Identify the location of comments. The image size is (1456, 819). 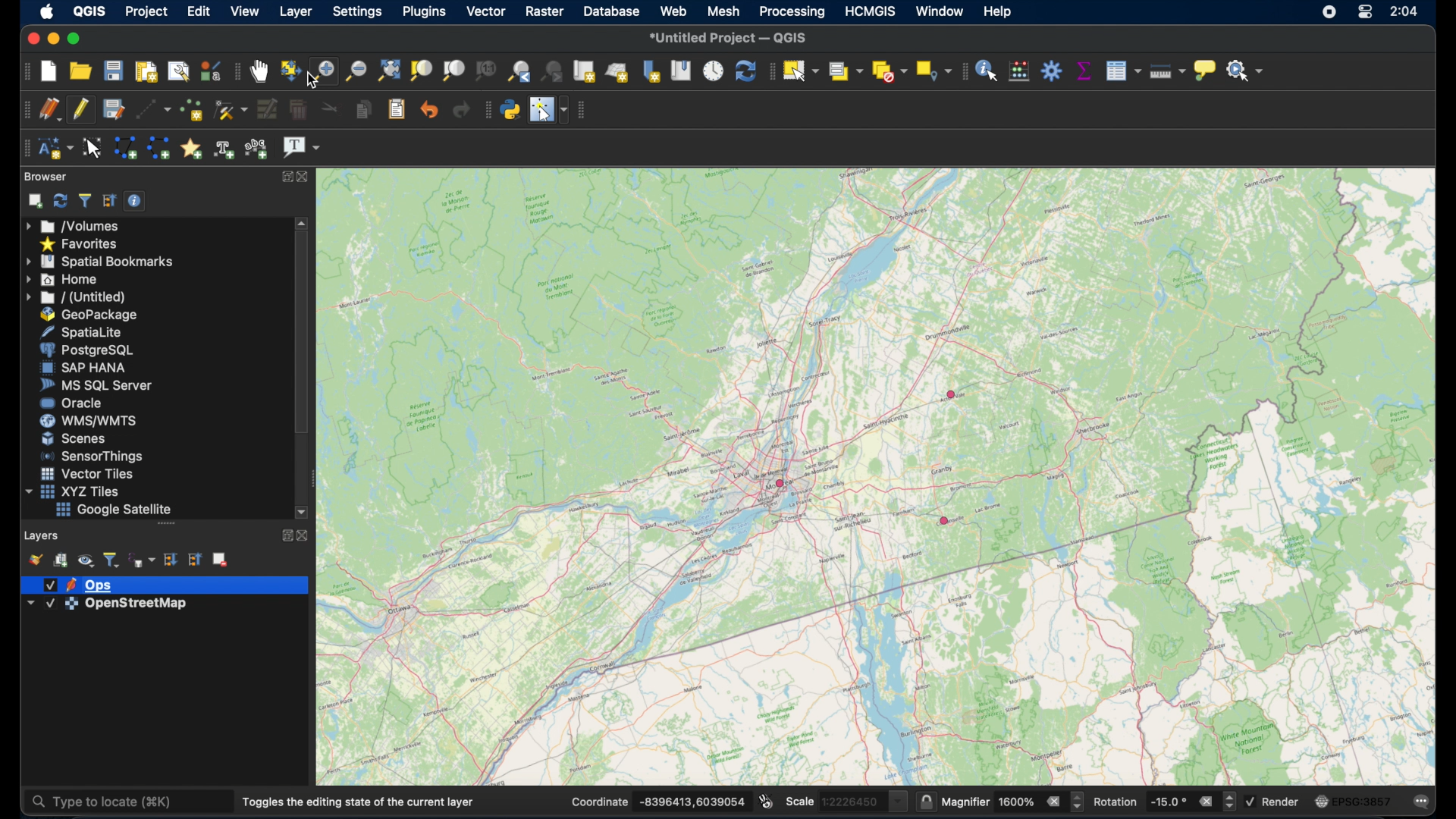
(1423, 803).